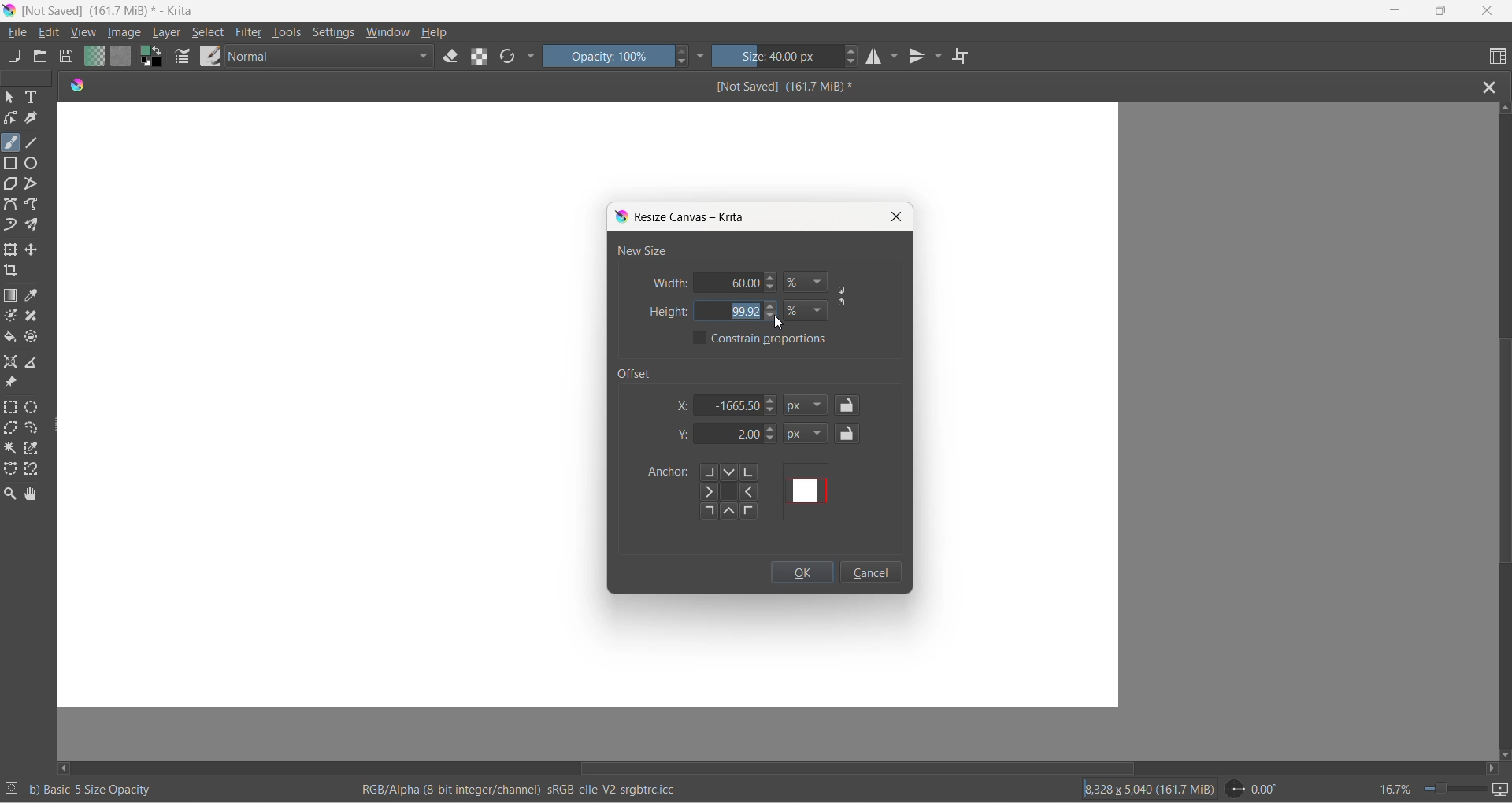  Describe the element at coordinates (780, 322) in the screenshot. I see `cursor` at that location.